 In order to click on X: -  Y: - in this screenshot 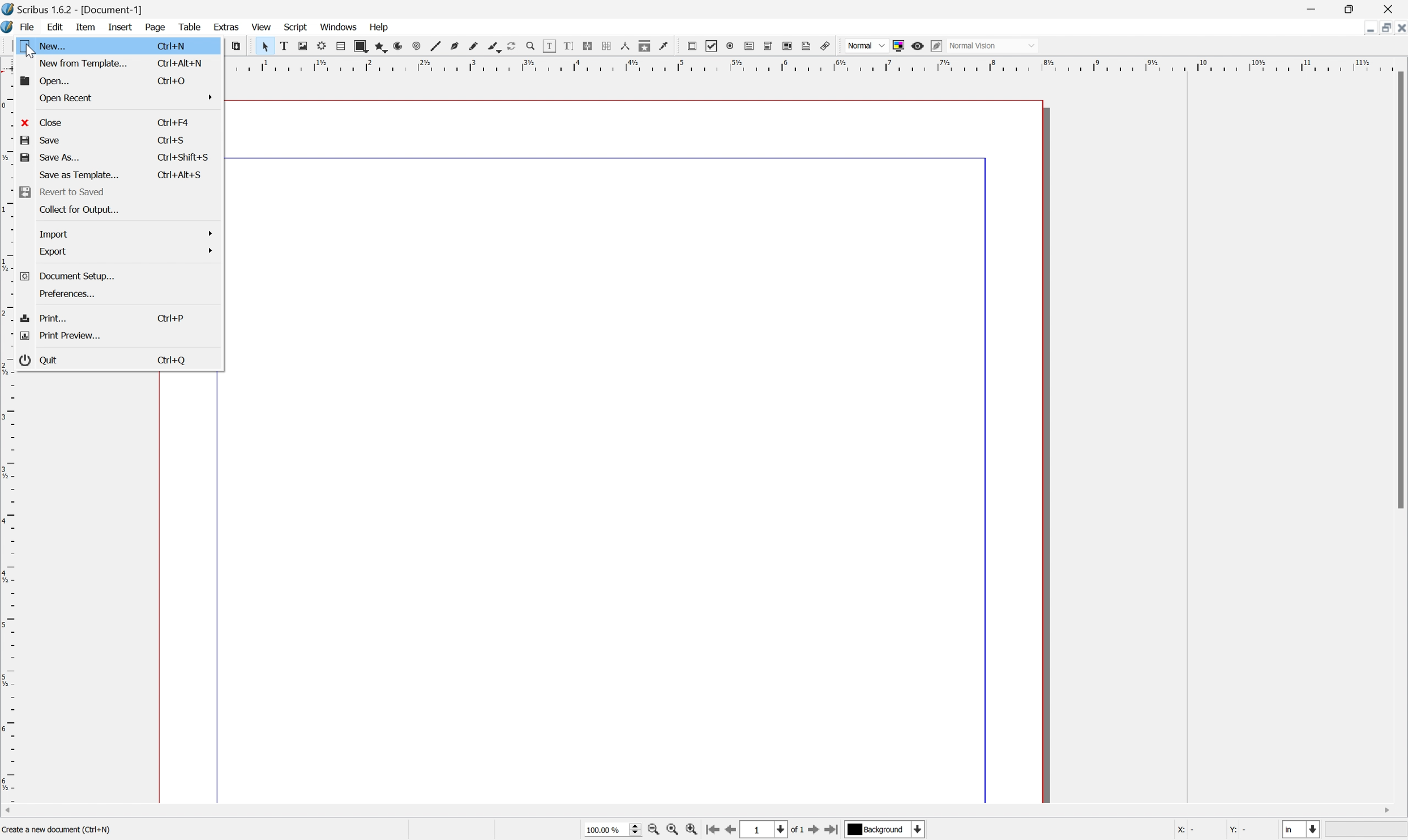, I will do `click(1212, 830)`.